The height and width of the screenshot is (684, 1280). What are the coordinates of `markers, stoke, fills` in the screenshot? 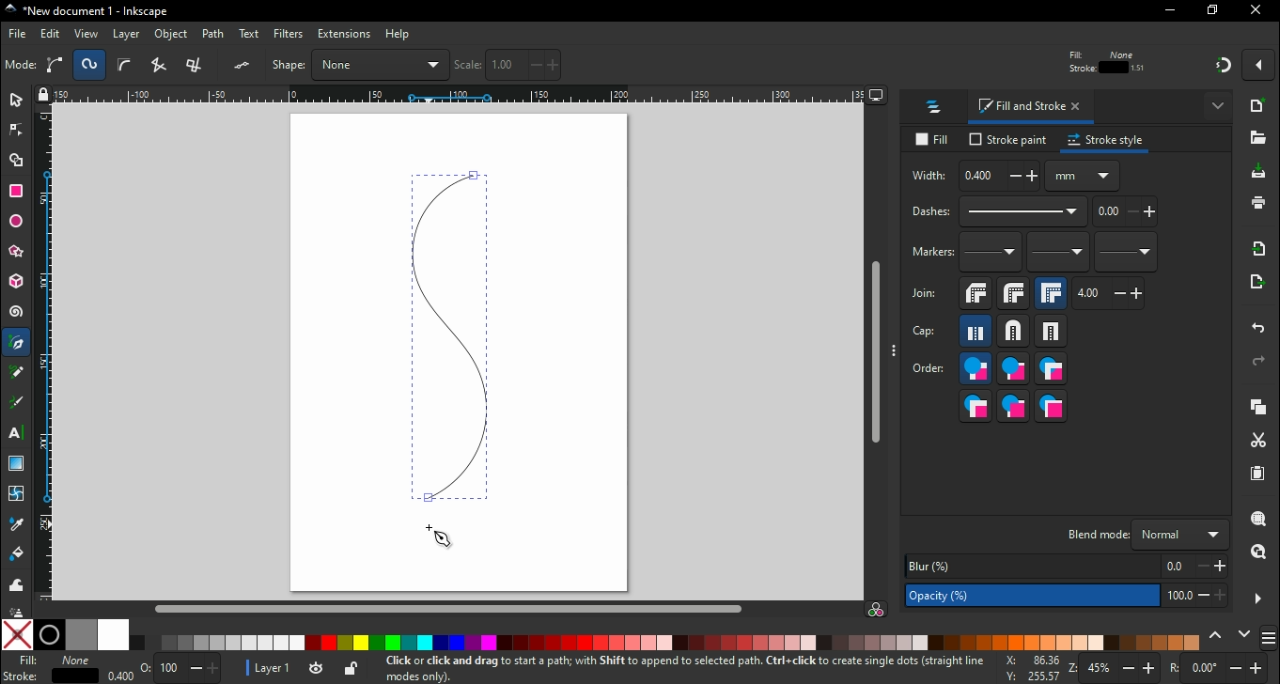 It's located at (1052, 407).